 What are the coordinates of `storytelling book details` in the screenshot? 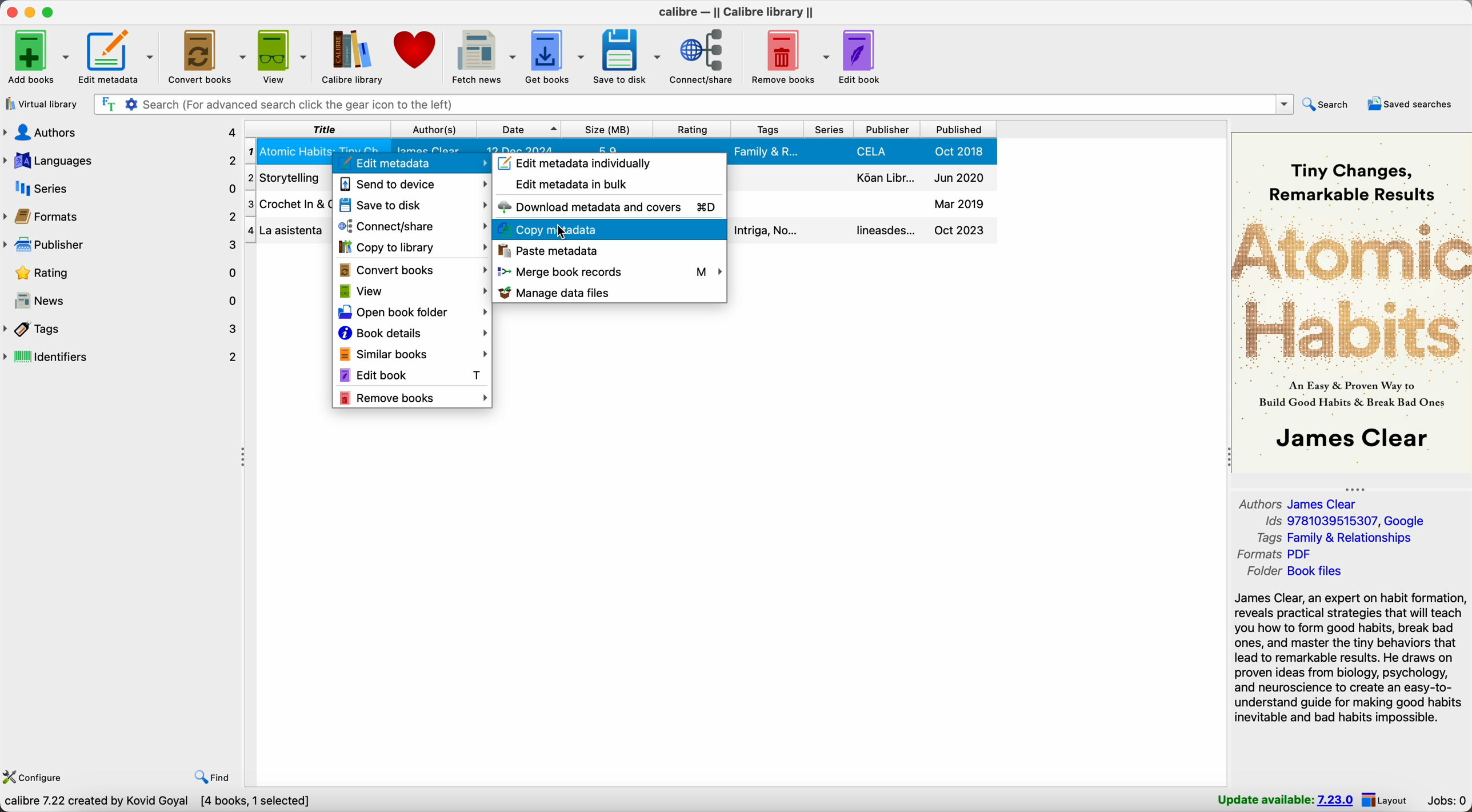 It's located at (288, 178).